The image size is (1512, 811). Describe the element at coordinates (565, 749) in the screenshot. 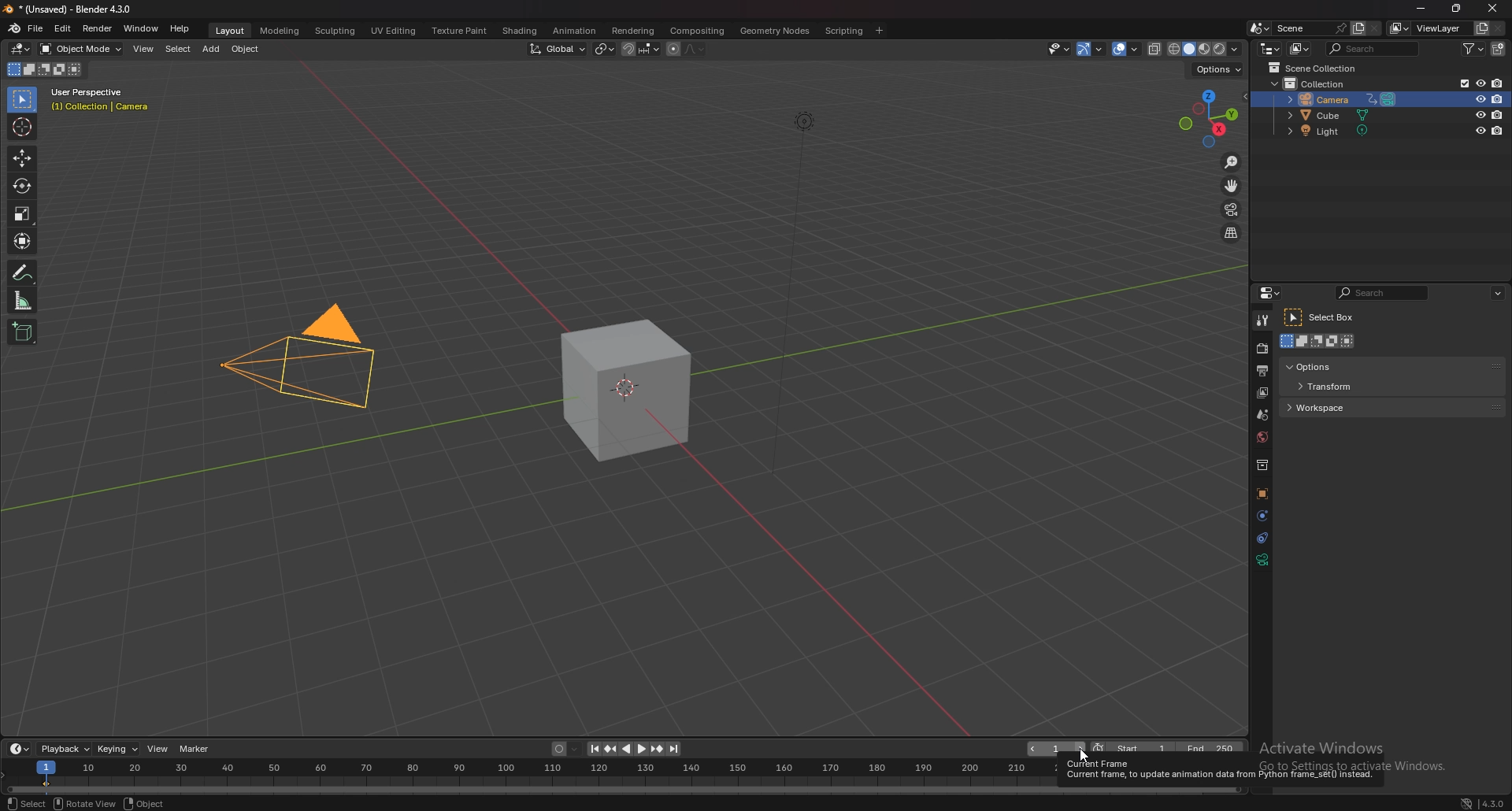

I see `auto keying` at that location.